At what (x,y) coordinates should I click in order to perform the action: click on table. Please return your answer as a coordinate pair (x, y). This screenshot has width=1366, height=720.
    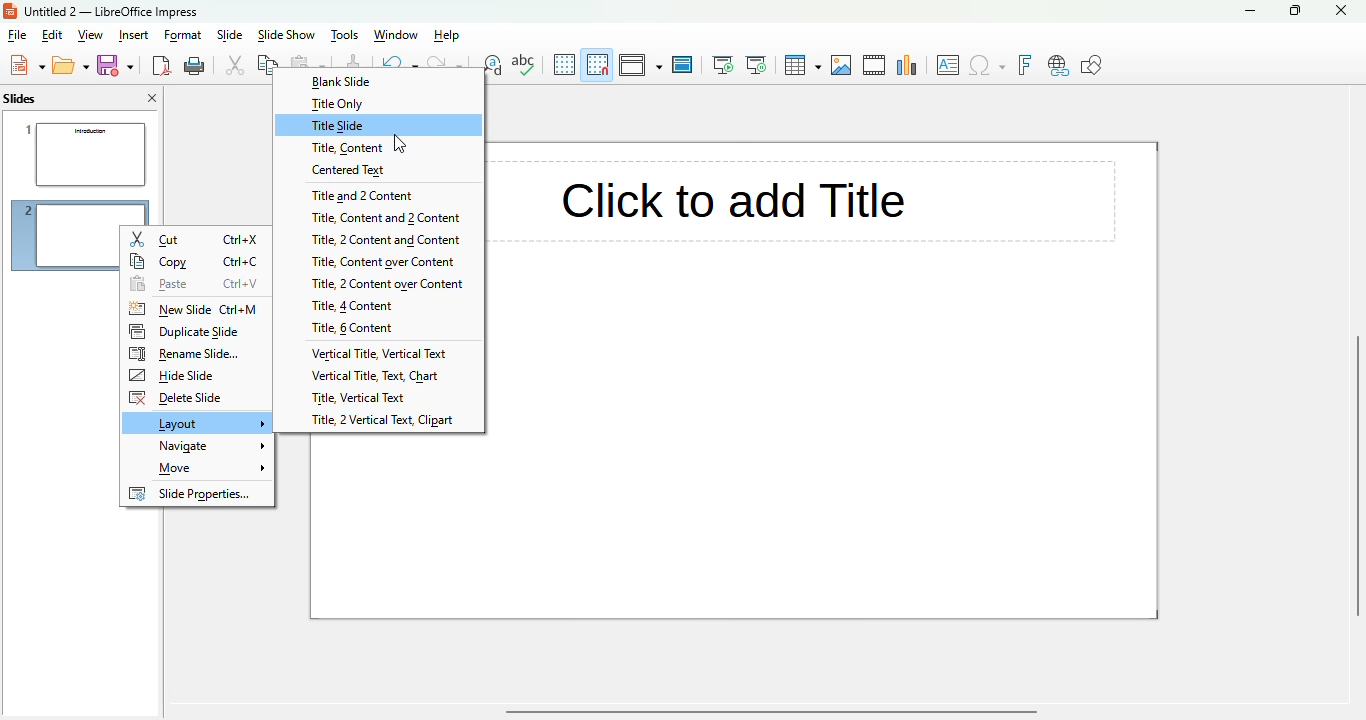
    Looking at the image, I should click on (802, 65).